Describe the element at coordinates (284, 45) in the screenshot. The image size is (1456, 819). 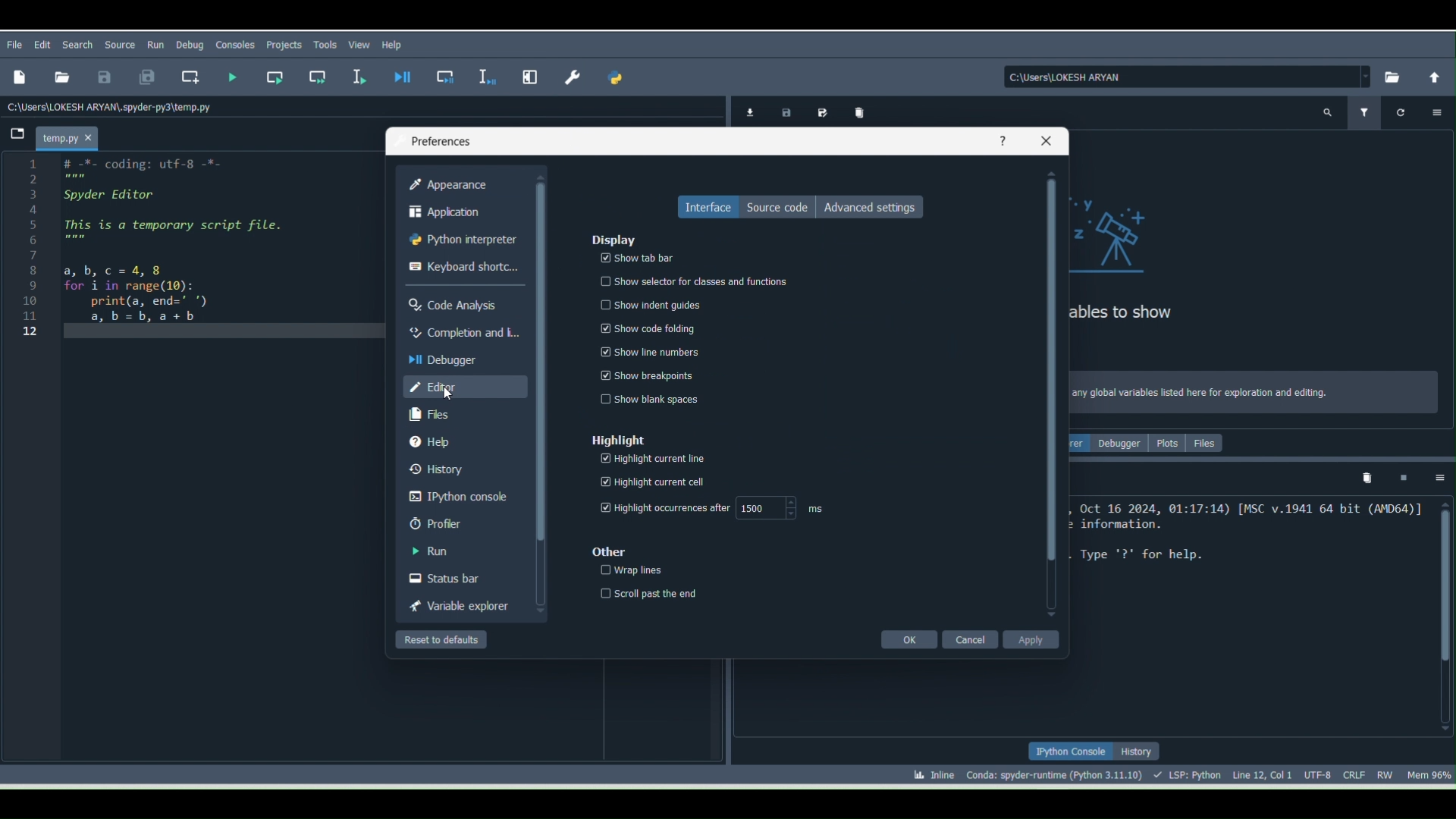
I see `Projects` at that location.